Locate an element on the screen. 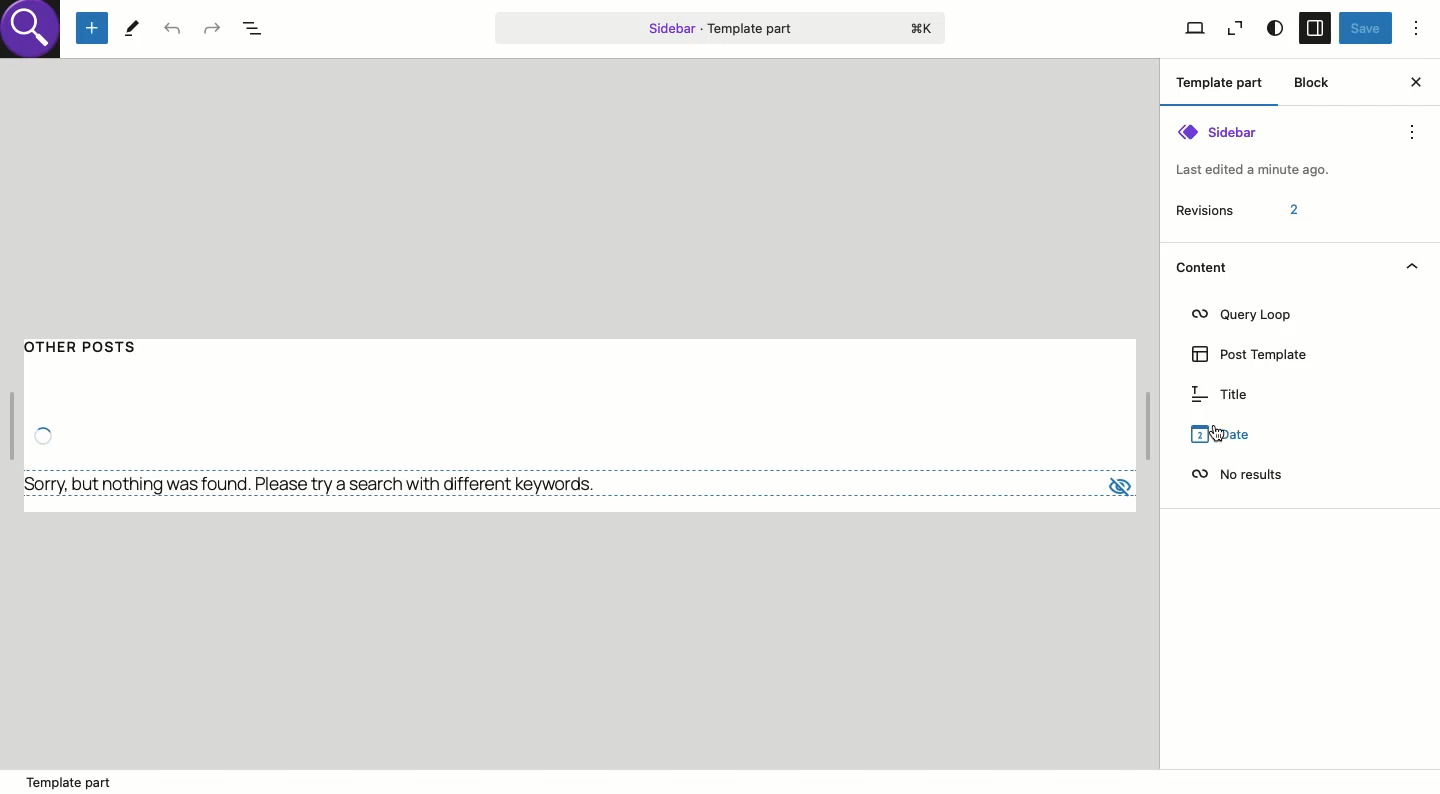  No results is located at coordinates (318, 484).